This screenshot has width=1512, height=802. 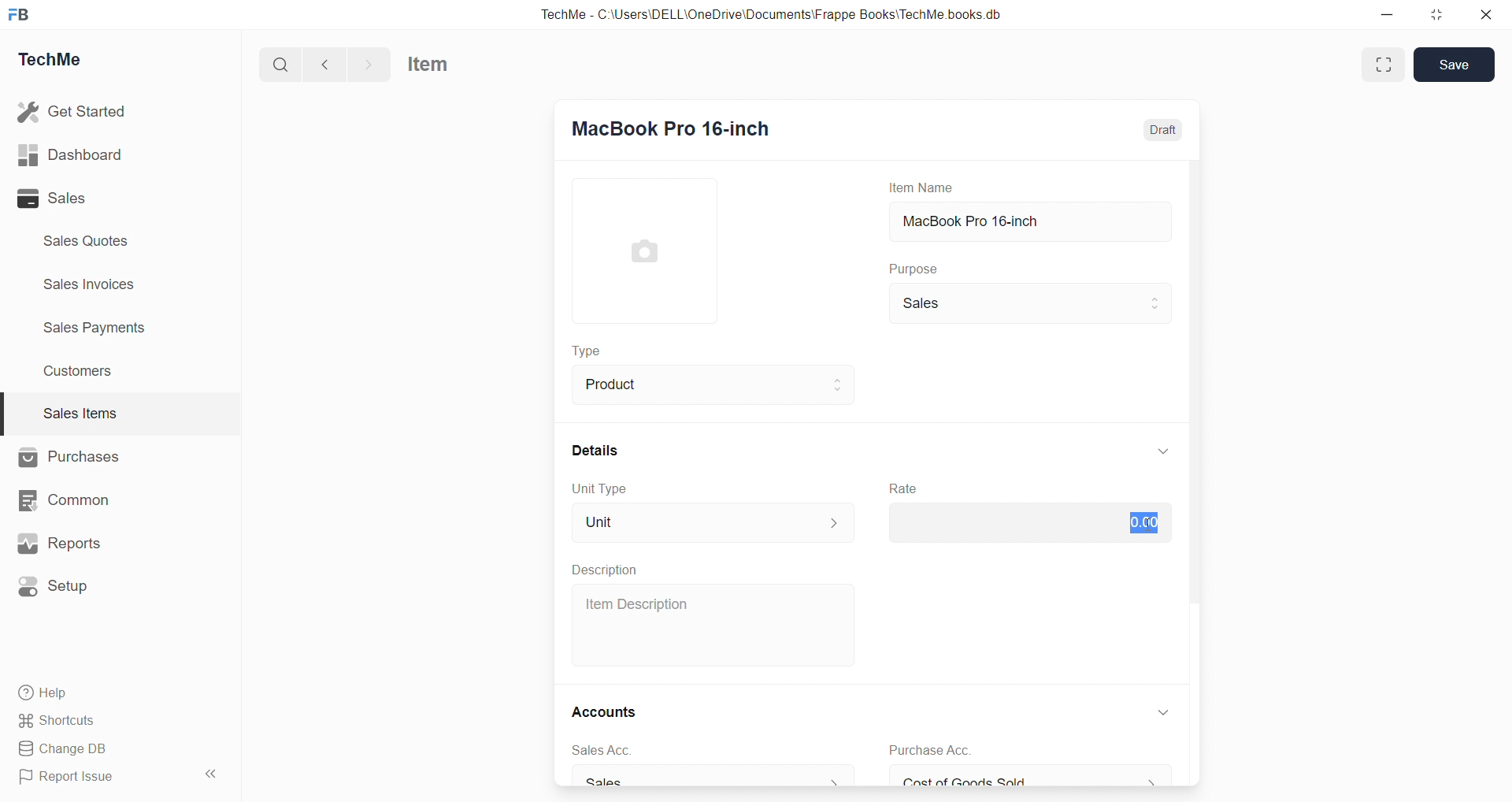 I want to click on Details, so click(x=595, y=451).